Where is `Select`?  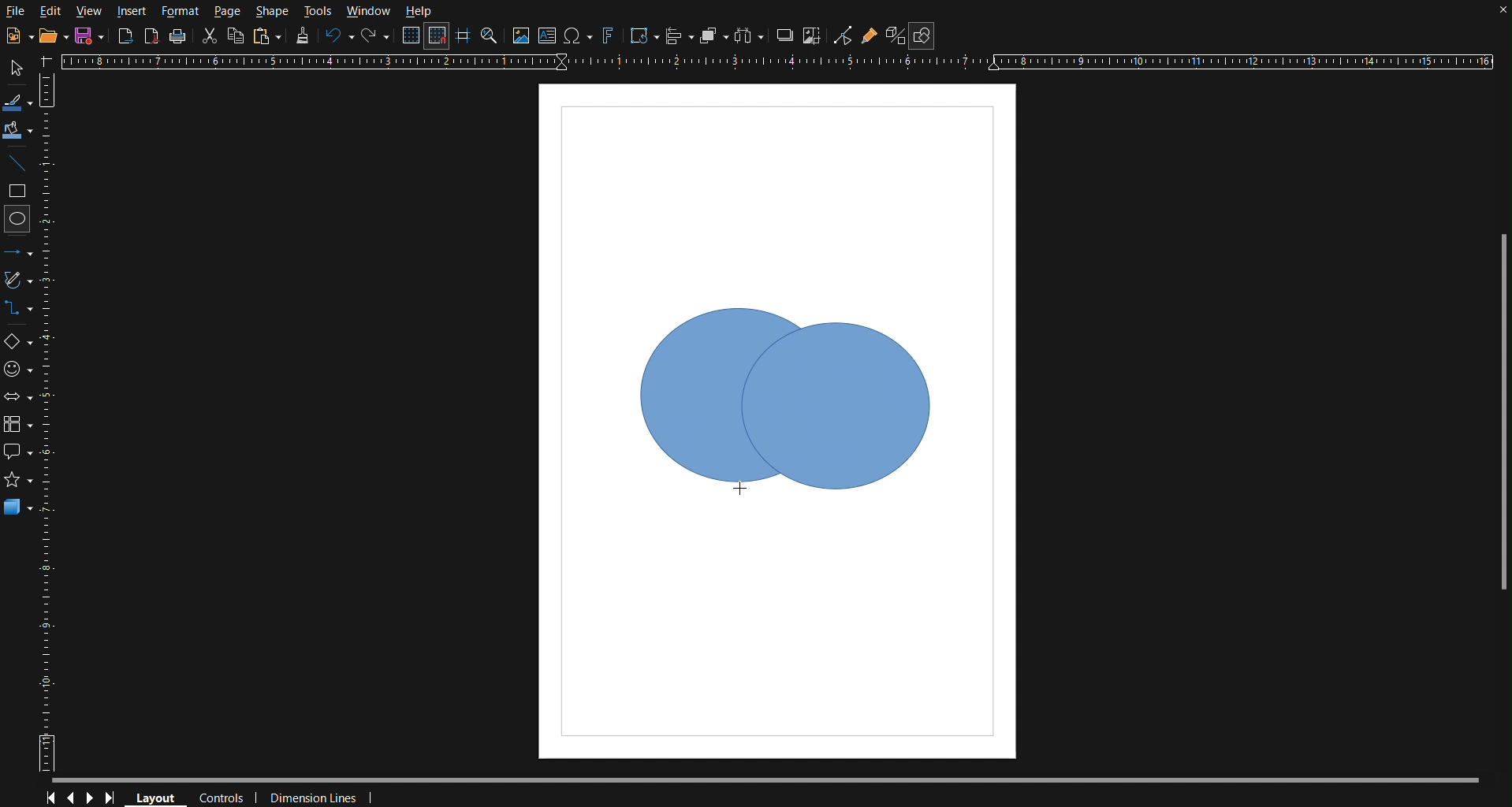 Select is located at coordinates (19, 67).